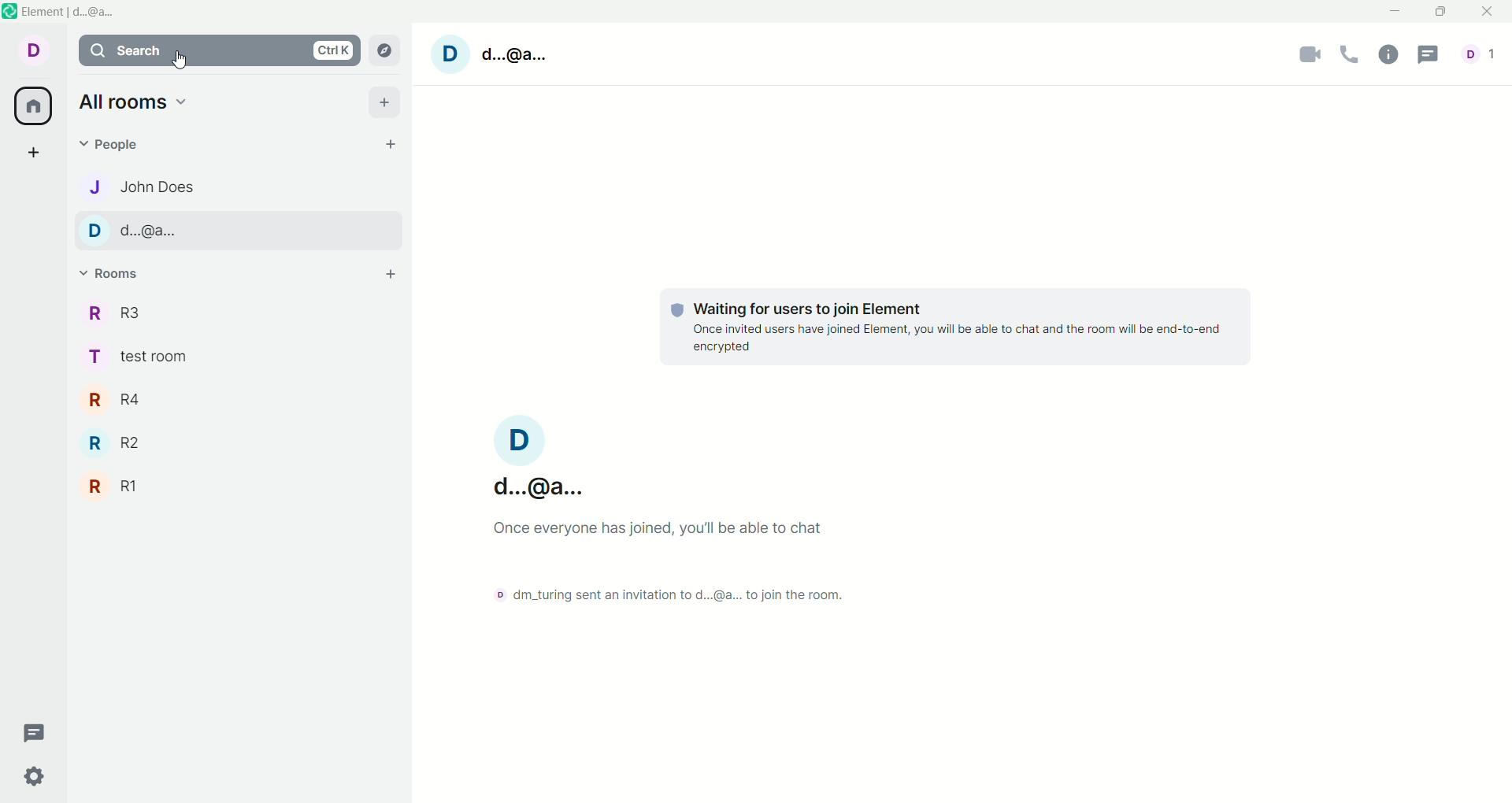 This screenshot has width=1512, height=803. Describe the element at coordinates (385, 50) in the screenshot. I see `explore room` at that location.